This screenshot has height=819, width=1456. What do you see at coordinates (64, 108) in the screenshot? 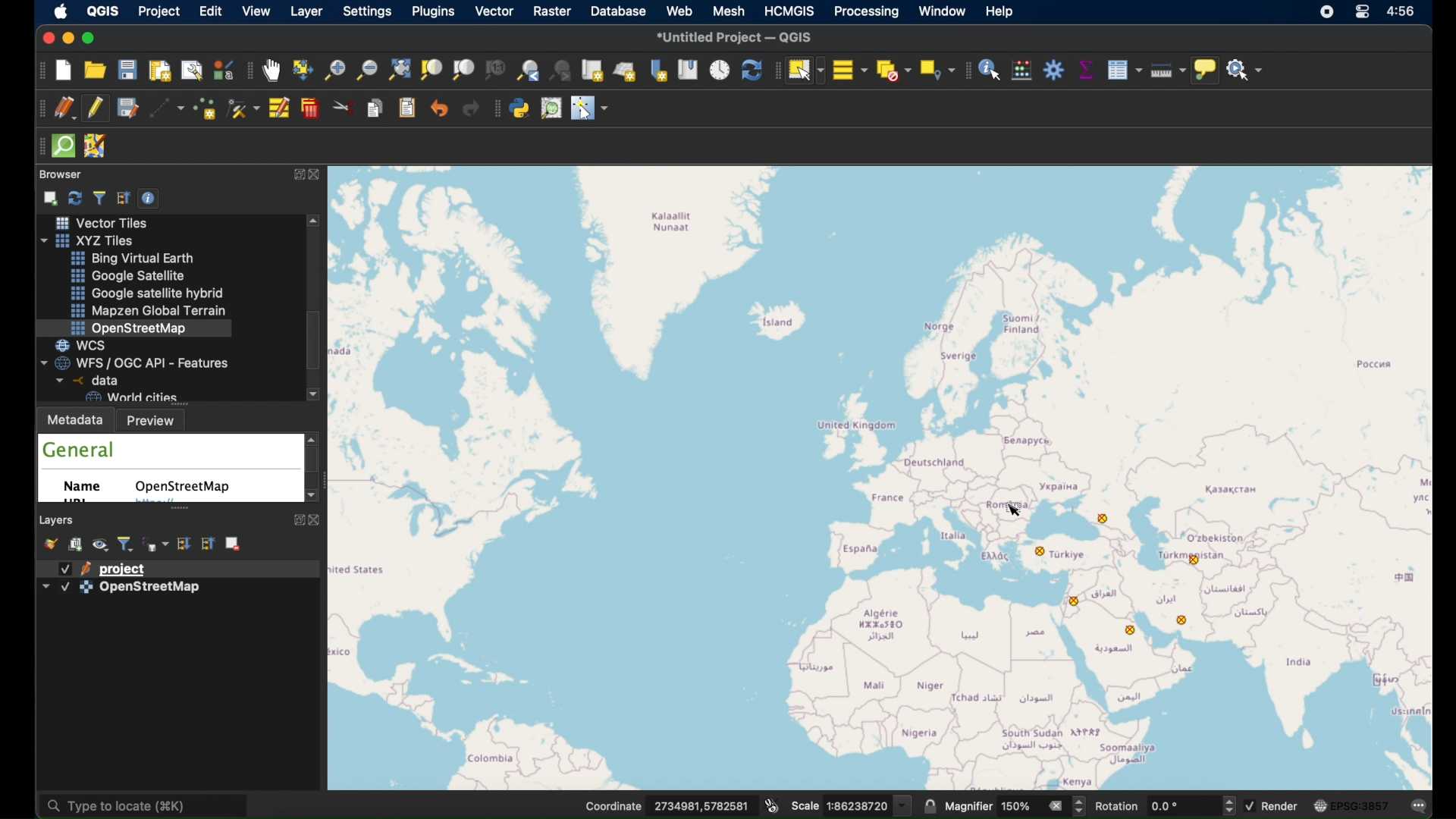
I see `current edits` at bounding box center [64, 108].